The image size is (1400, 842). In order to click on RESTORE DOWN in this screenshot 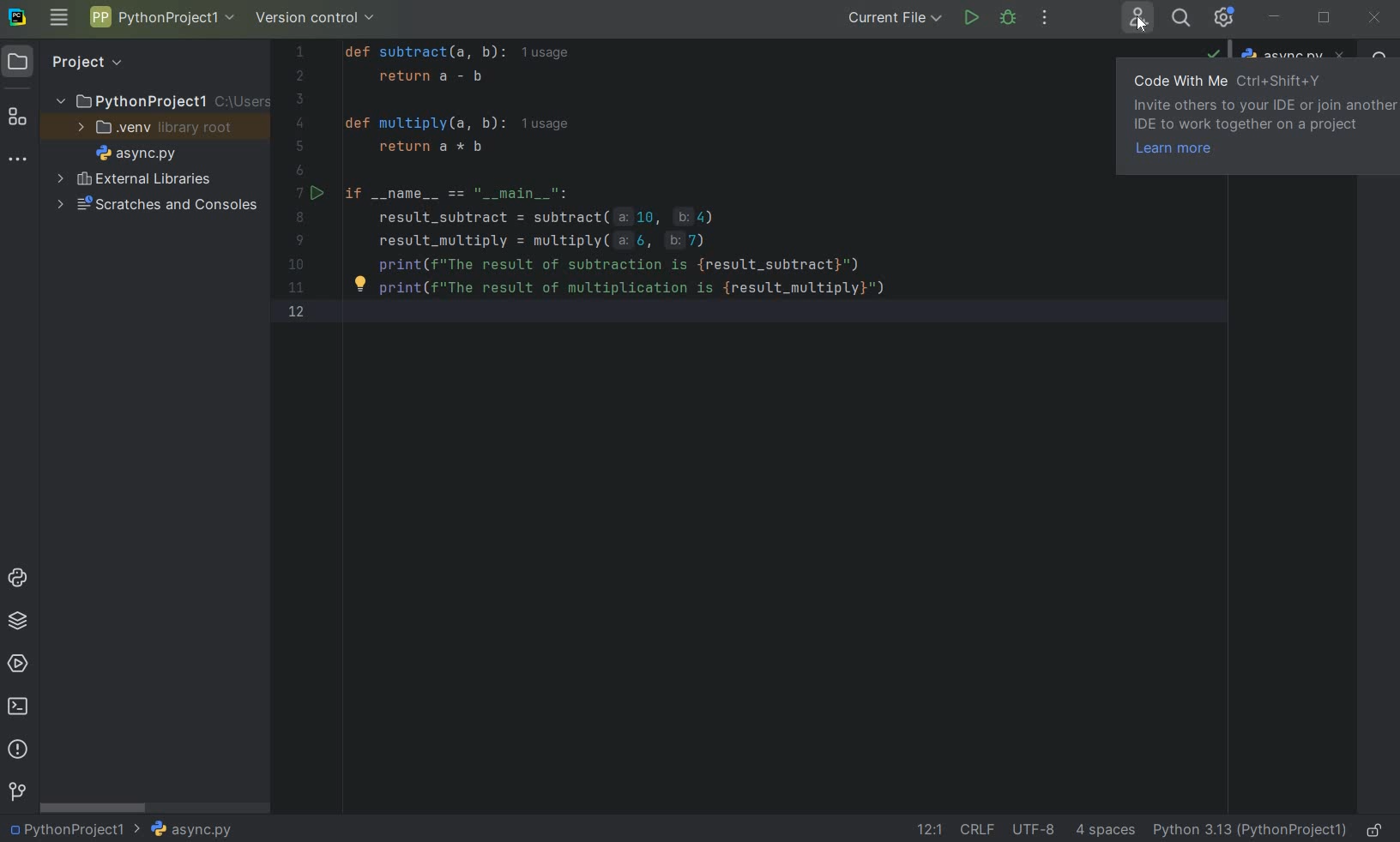, I will do `click(1325, 15)`.